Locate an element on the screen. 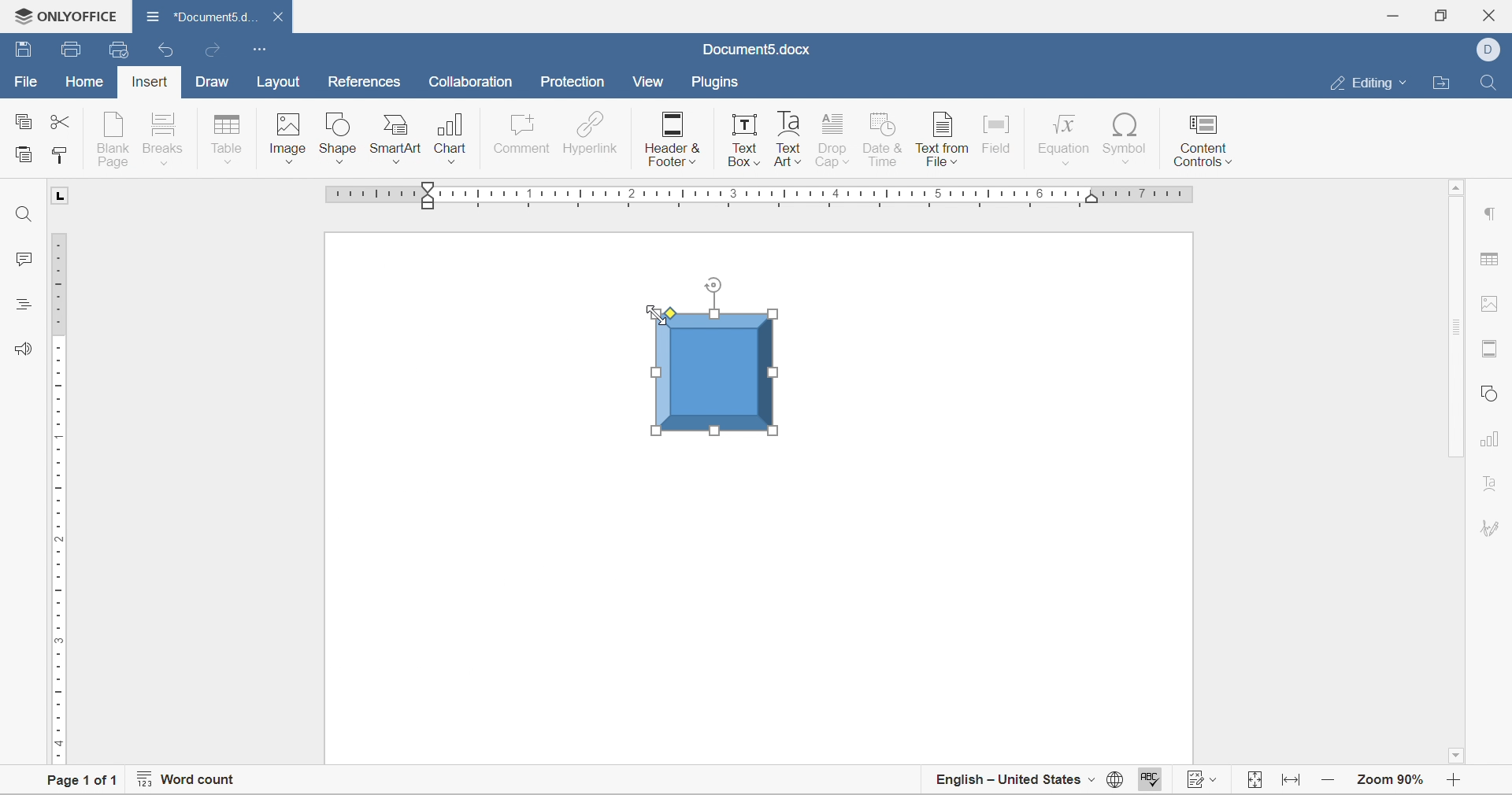  breaks is located at coordinates (166, 135).